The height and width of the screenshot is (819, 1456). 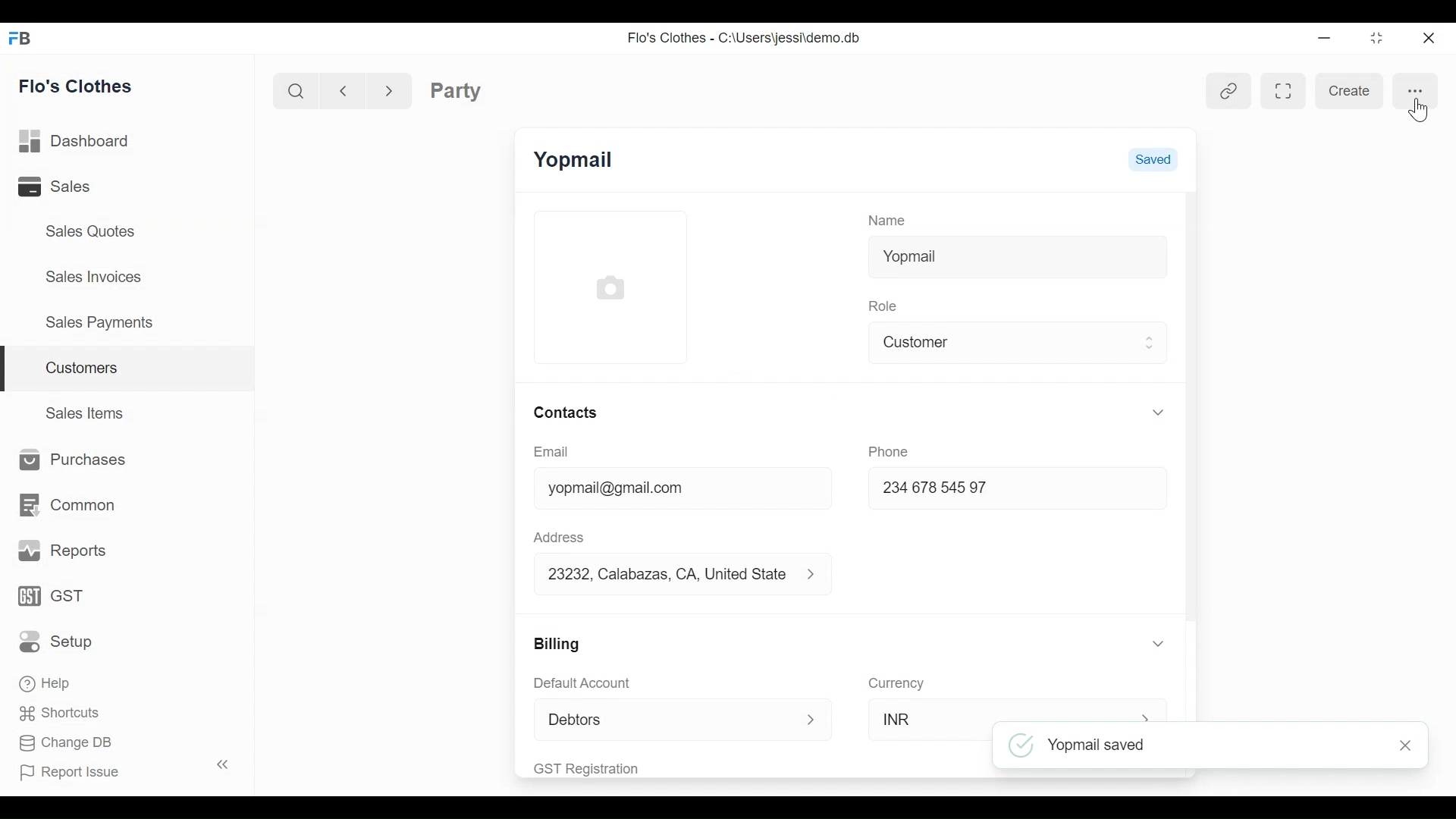 What do you see at coordinates (96, 275) in the screenshot?
I see `Sales Invoices` at bounding box center [96, 275].